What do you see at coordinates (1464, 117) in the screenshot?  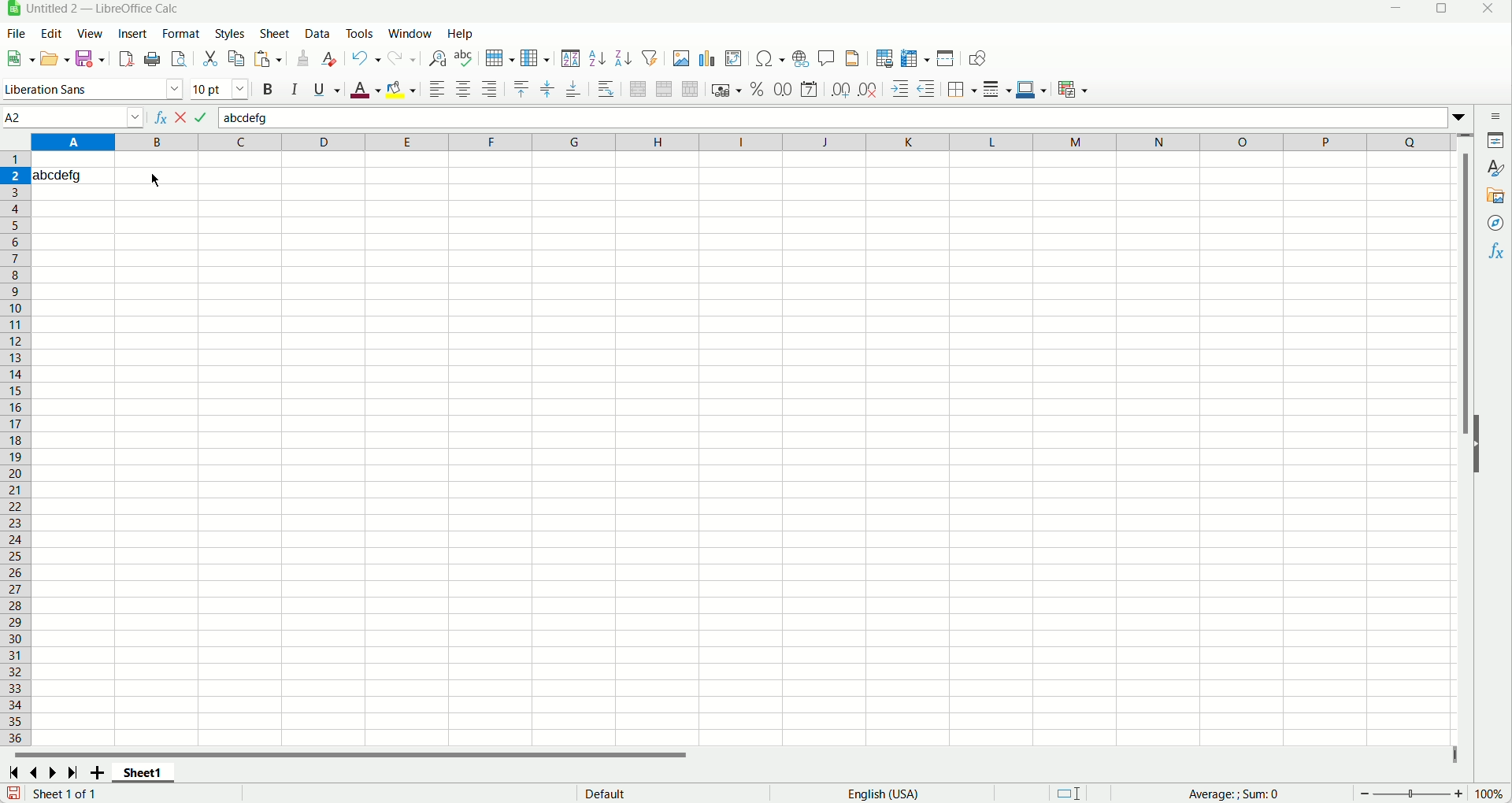 I see `expand formula bar` at bounding box center [1464, 117].